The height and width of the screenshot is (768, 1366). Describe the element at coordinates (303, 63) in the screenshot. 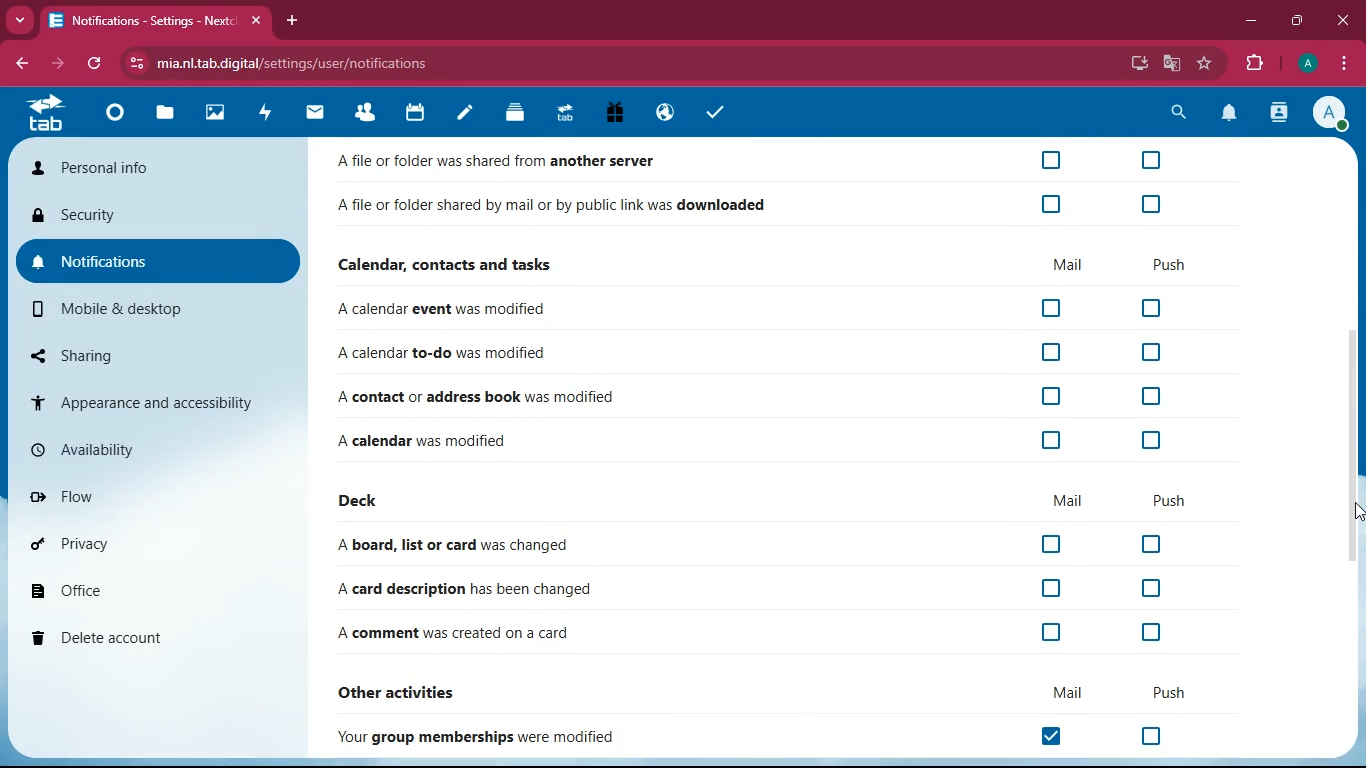

I see `mia.nl.tab.digital/settings/user/notifications` at that location.